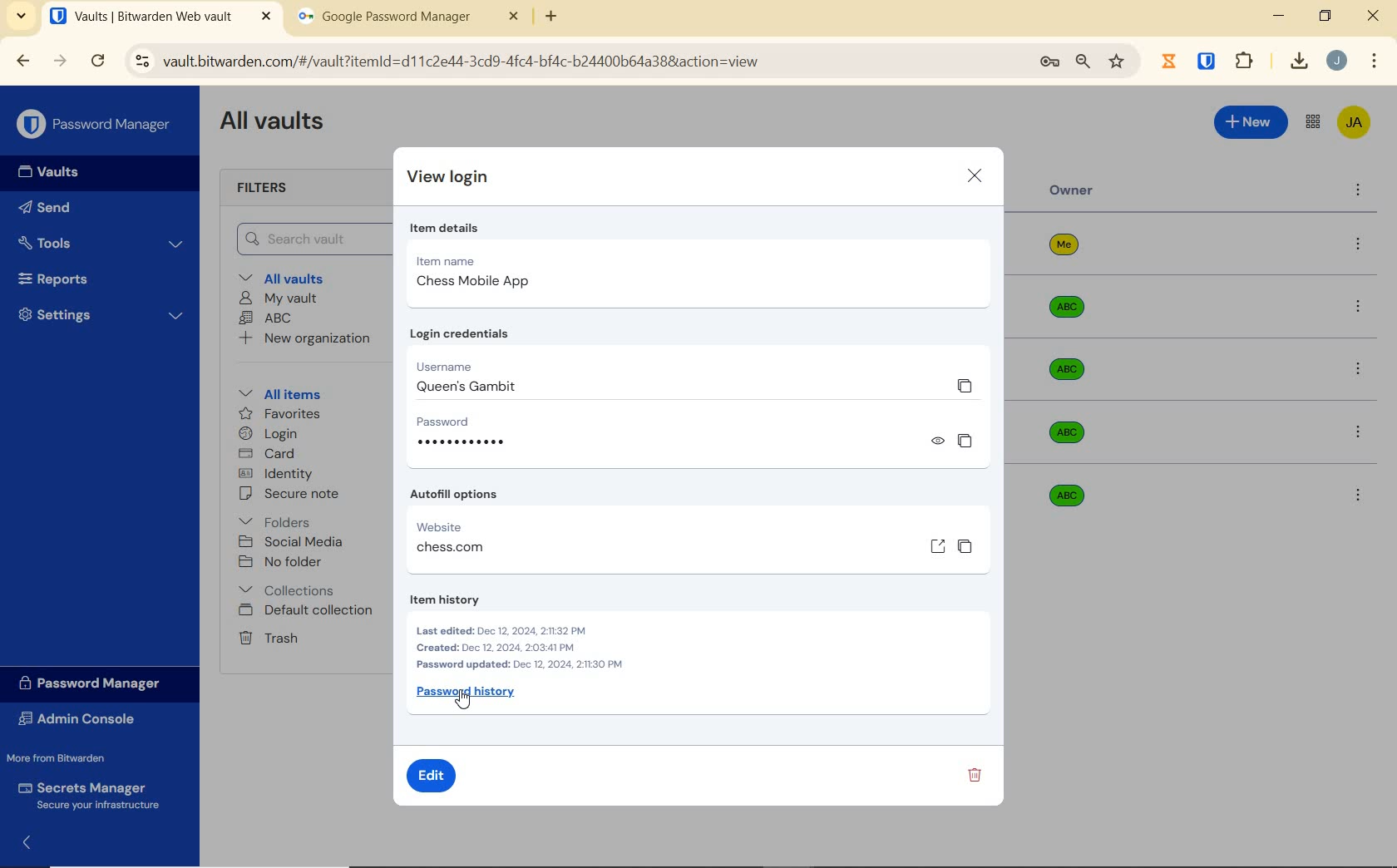 This screenshot has width=1397, height=868. What do you see at coordinates (1066, 433) in the screenshot?
I see `abc` at bounding box center [1066, 433].